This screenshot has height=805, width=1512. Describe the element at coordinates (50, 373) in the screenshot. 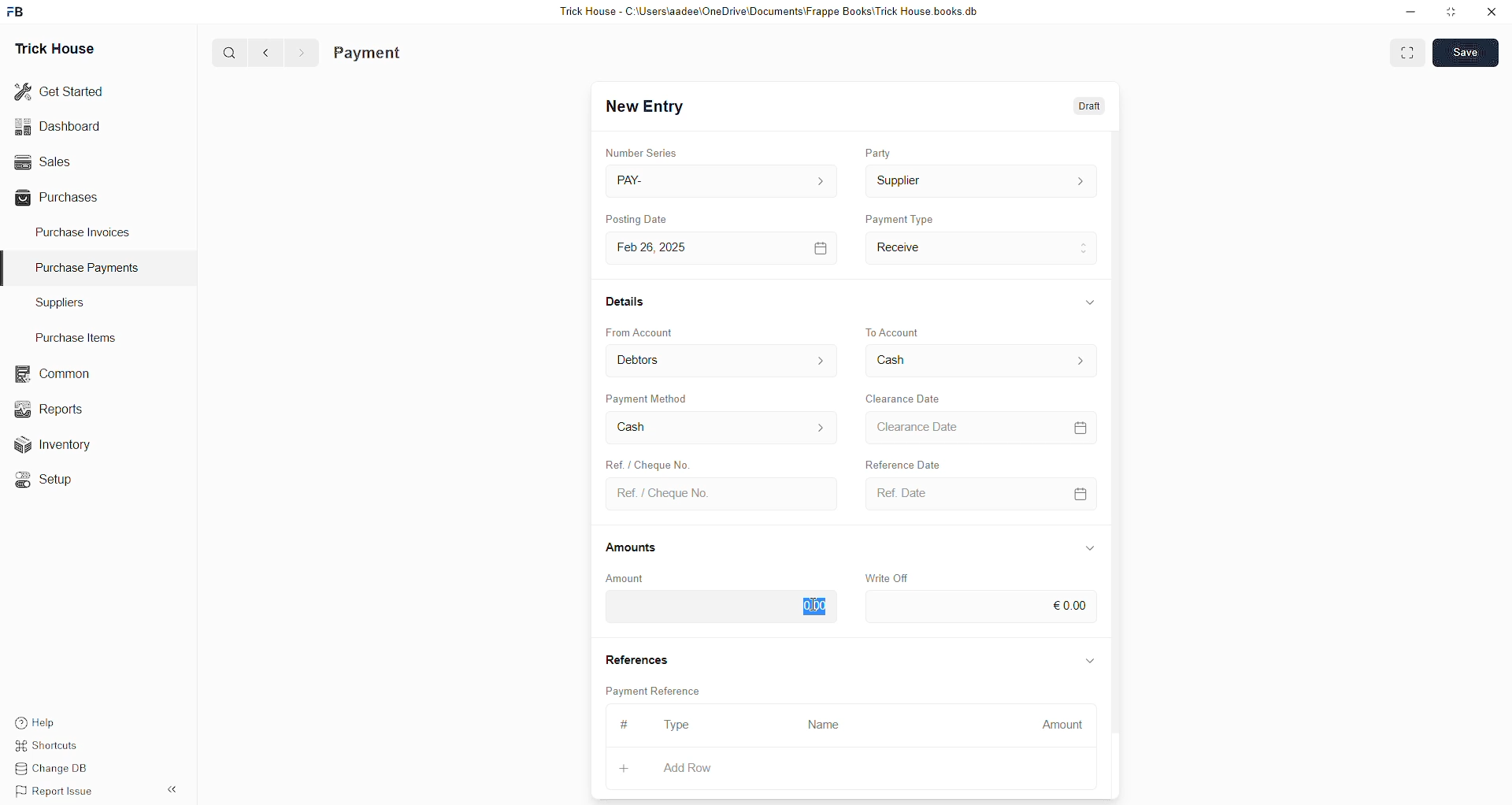

I see `Common` at that location.